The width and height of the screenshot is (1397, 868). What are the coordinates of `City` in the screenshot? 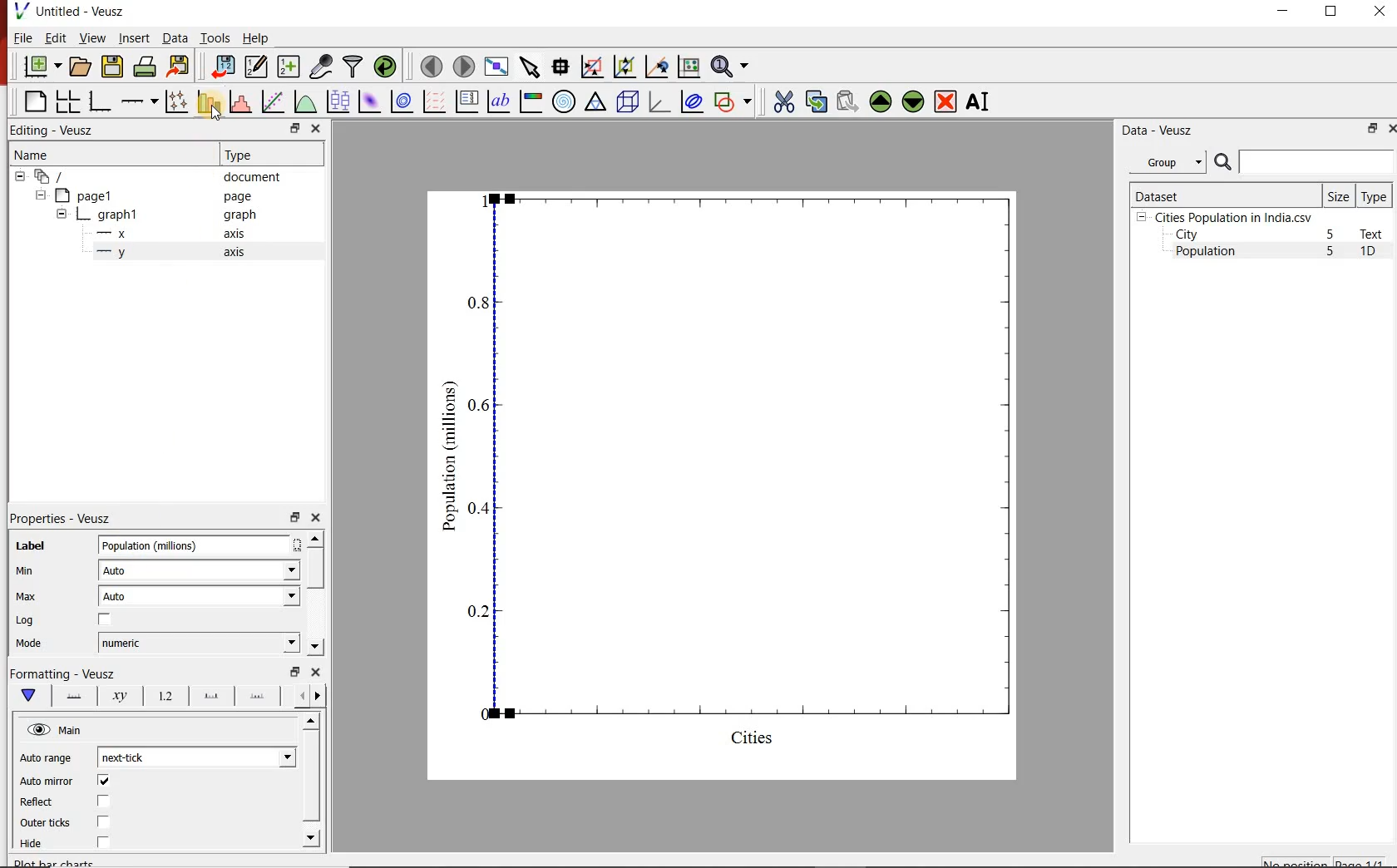 It's located at (1187, 234).